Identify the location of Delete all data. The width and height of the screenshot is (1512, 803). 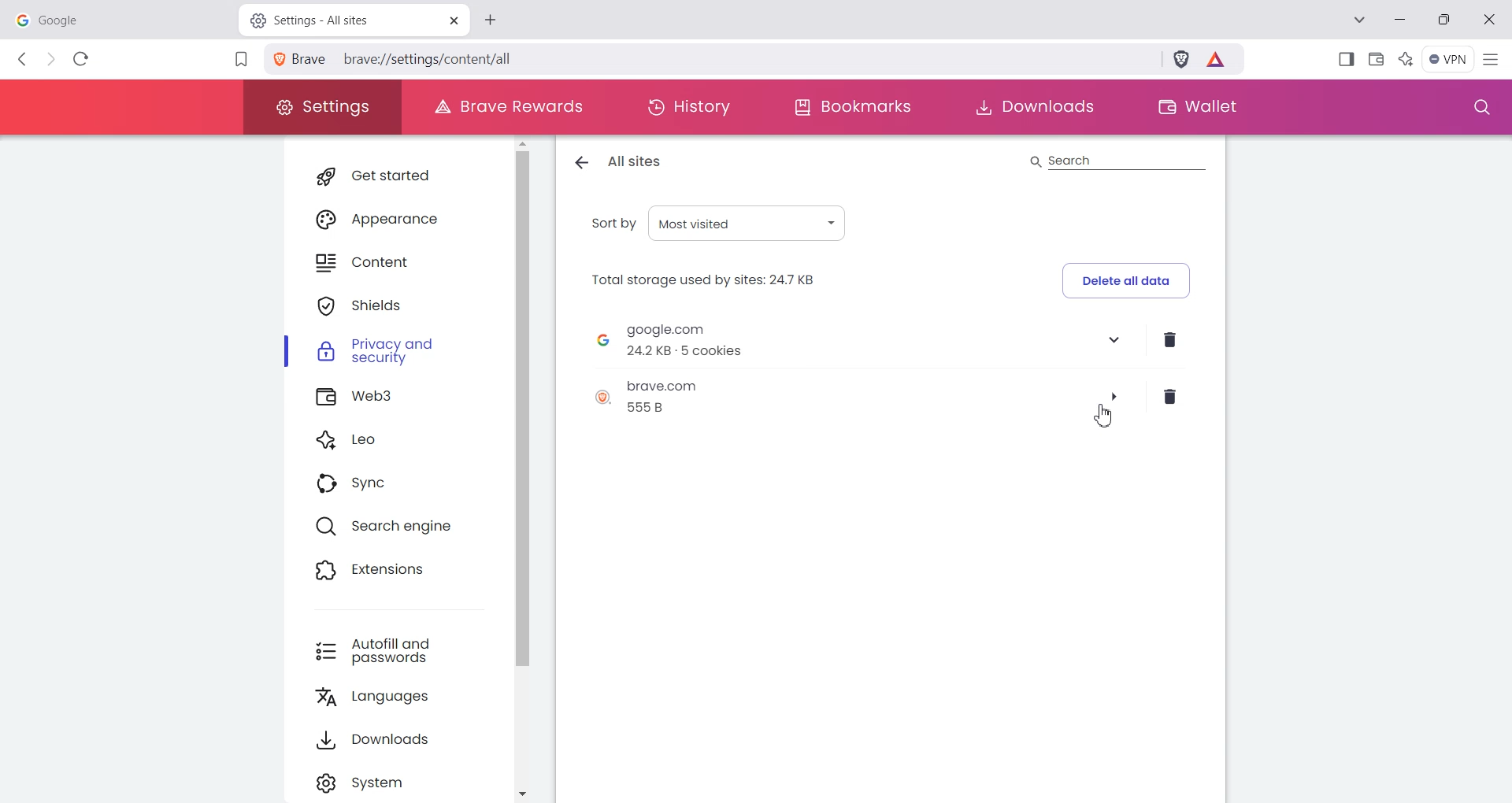
(889, 279).